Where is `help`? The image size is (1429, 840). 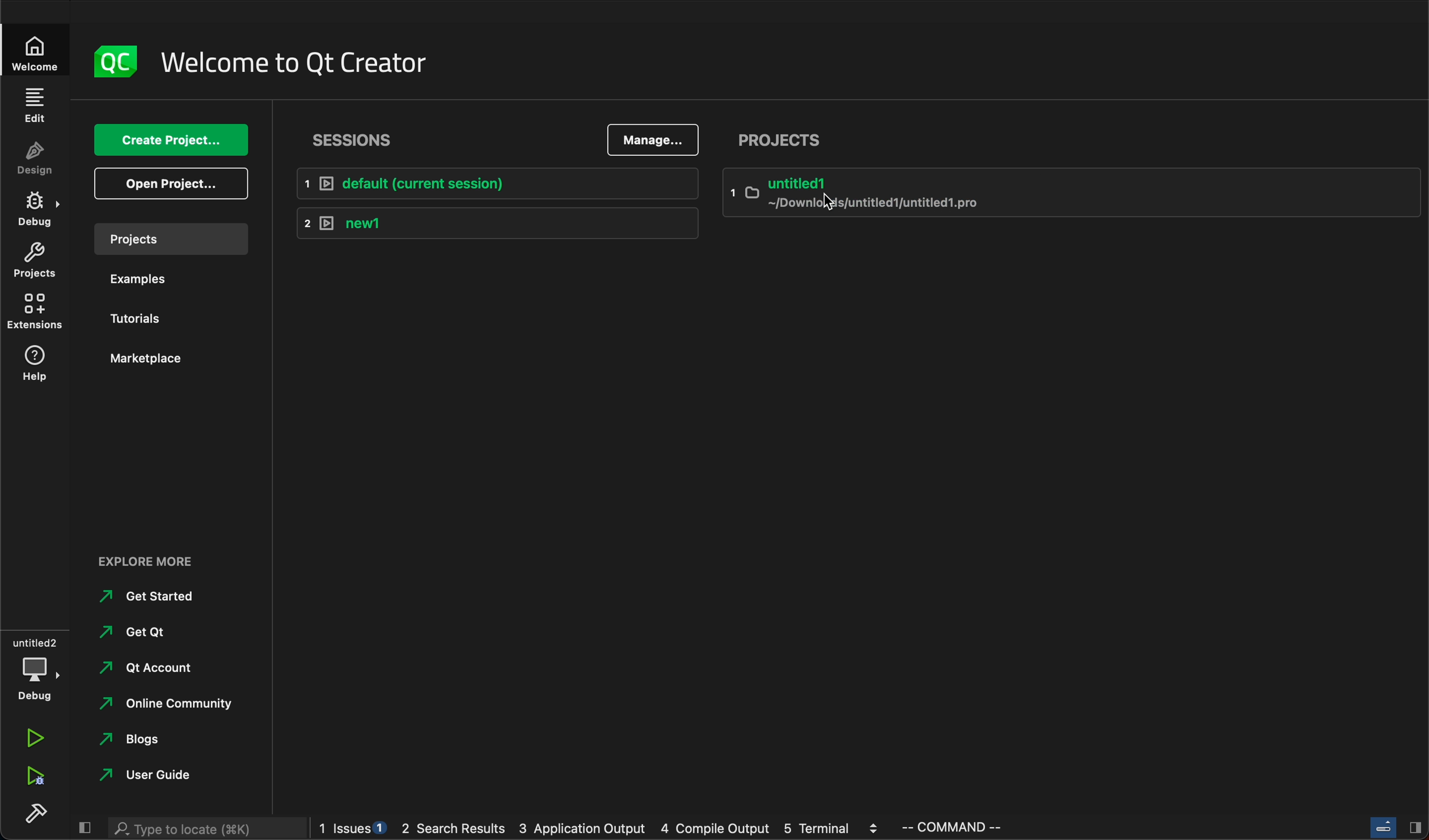 help is located at coordinates (36, 368).